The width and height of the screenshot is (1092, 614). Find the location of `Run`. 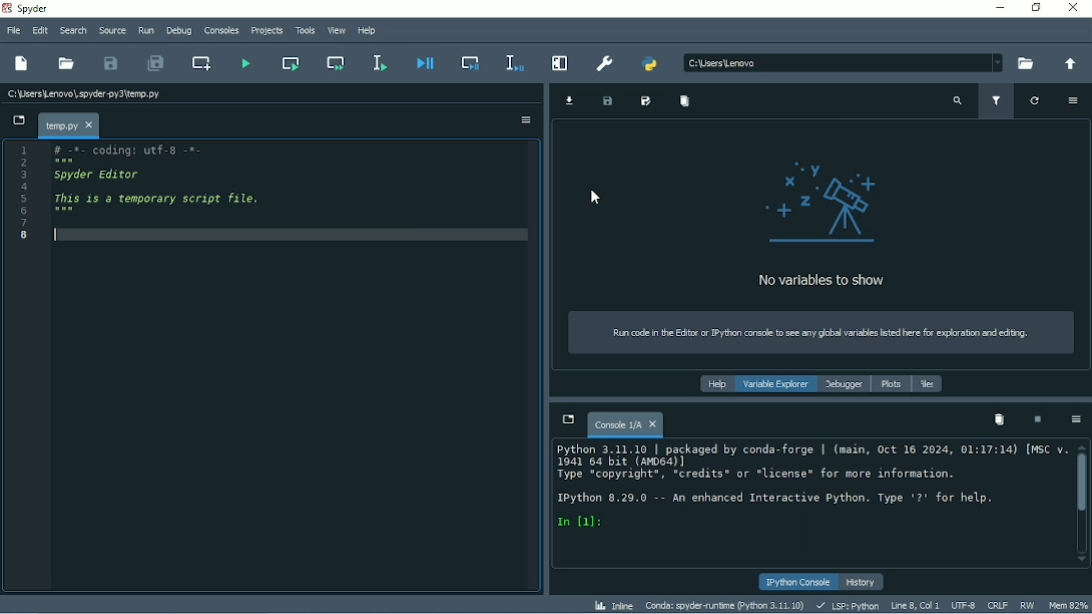

Run is located at coordinates (145, 31).